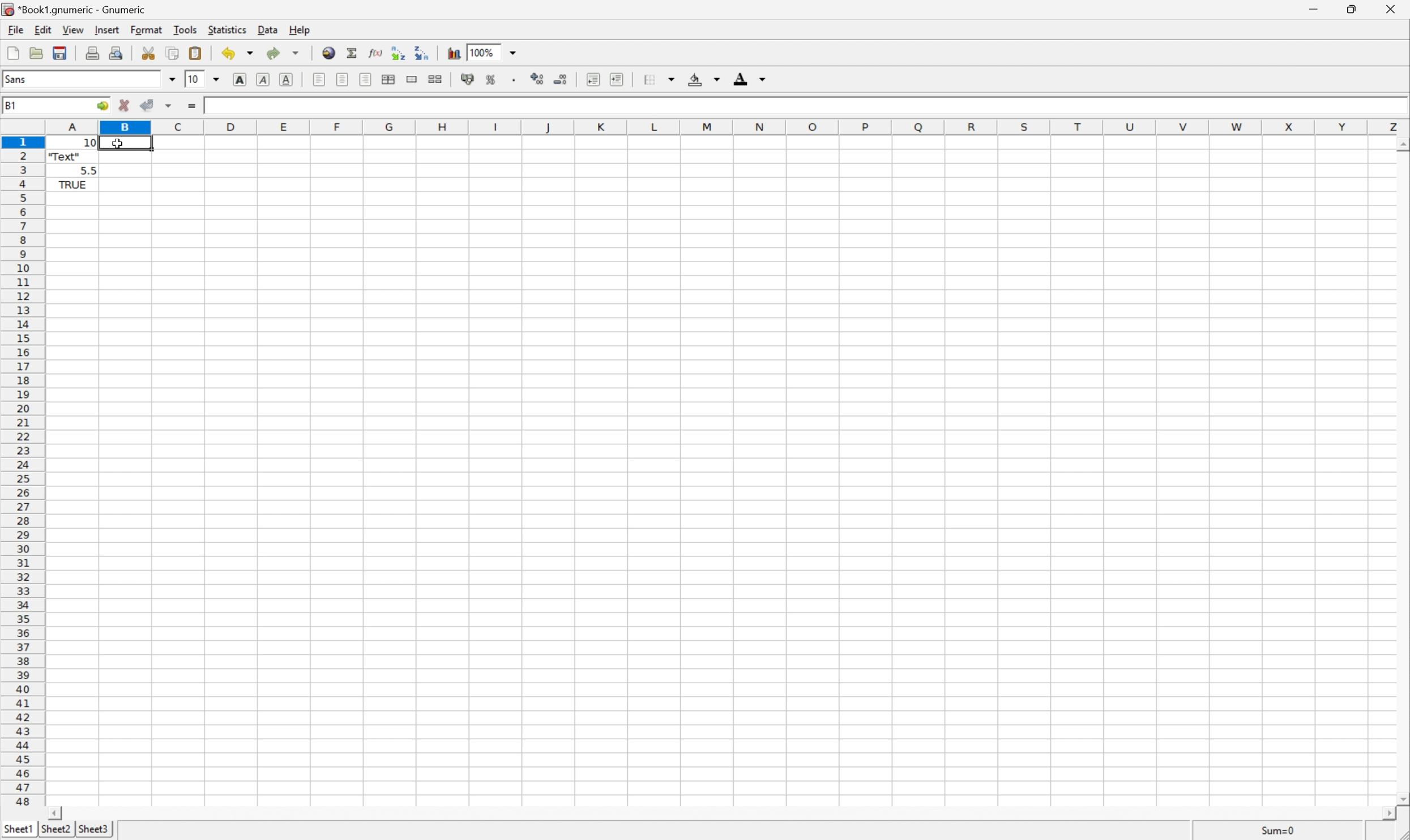 Image resolution: width=1410 pixels, height=840 pixels. What do you see at coordinates (89, 169) in the screenshot?
I see `5.5` at bounding box center [89, 169].